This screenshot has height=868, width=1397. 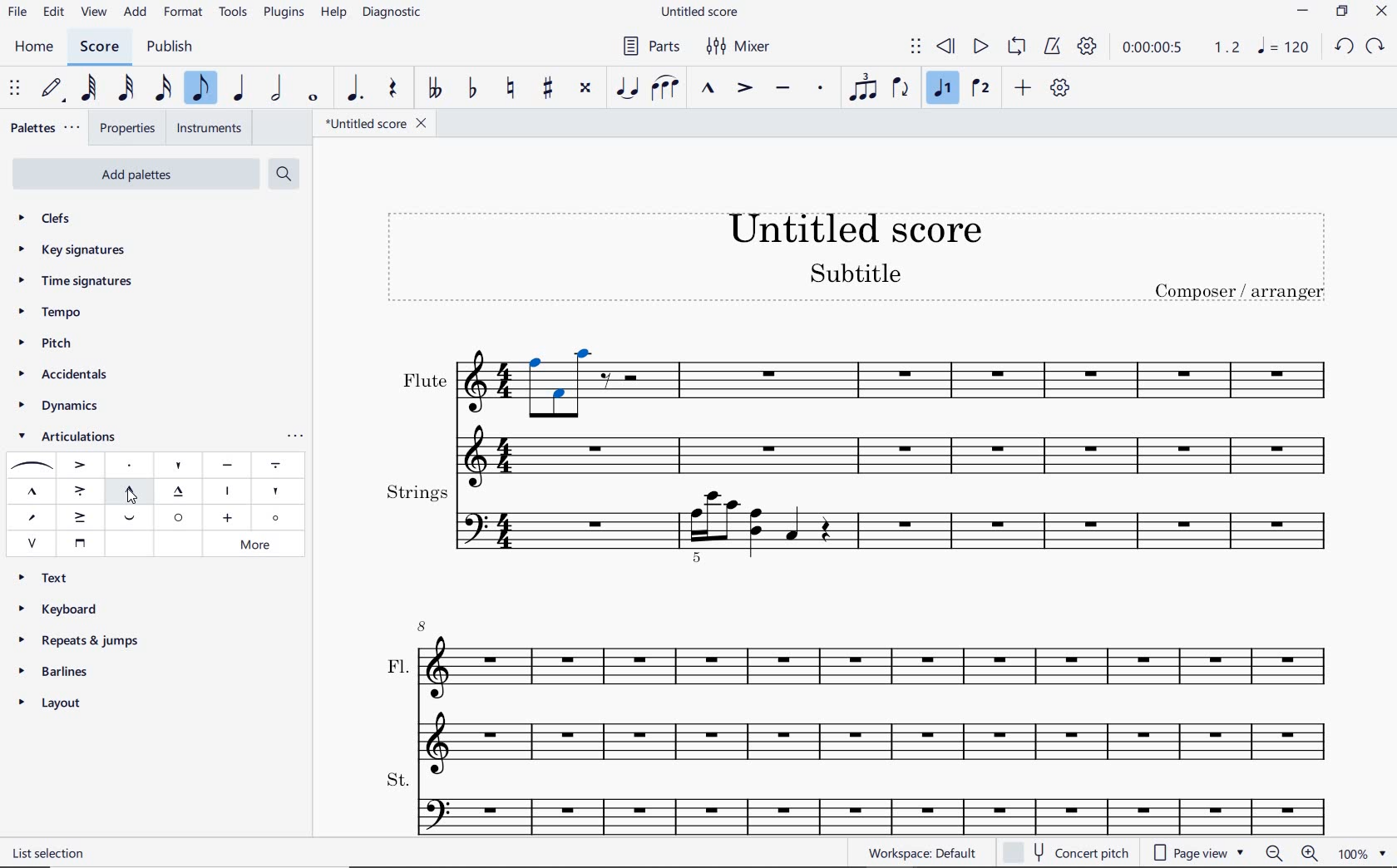 What do you see at coordinates (81, 639) in the screenshot?
I see `repeats & jumps` at bounding box center [81, 639].